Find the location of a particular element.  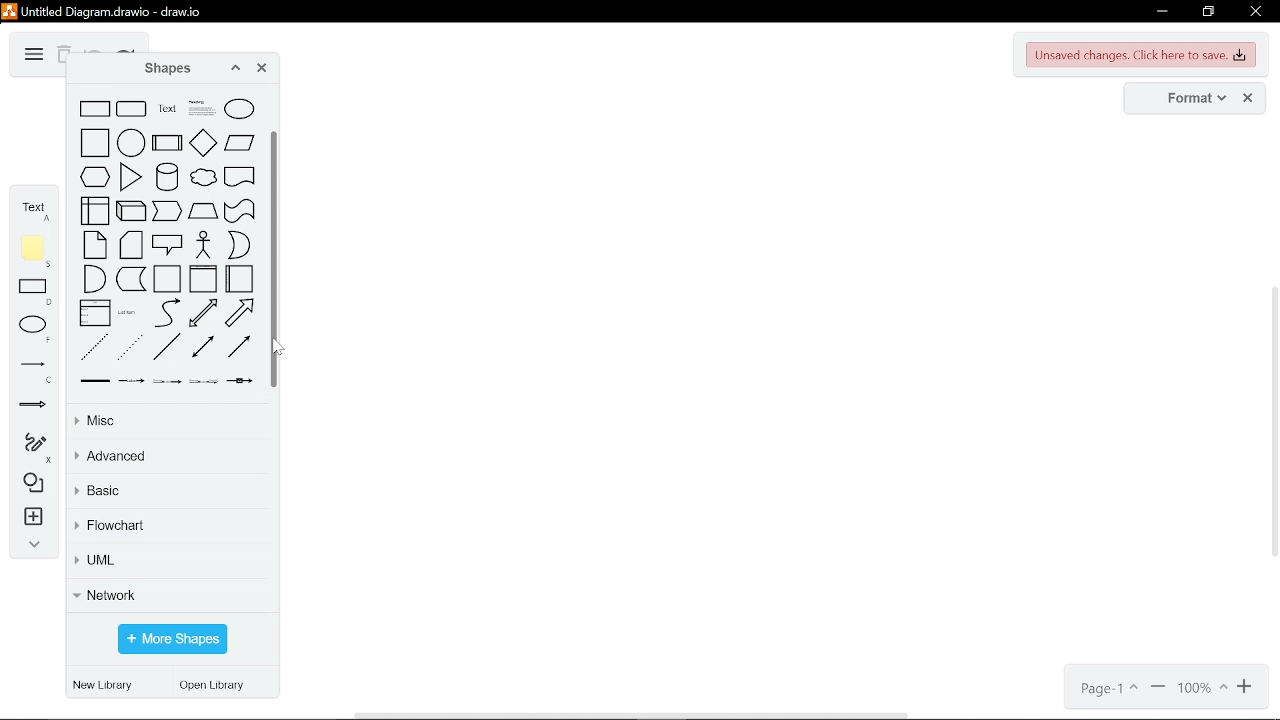

and is located at coordinates (94, 279).